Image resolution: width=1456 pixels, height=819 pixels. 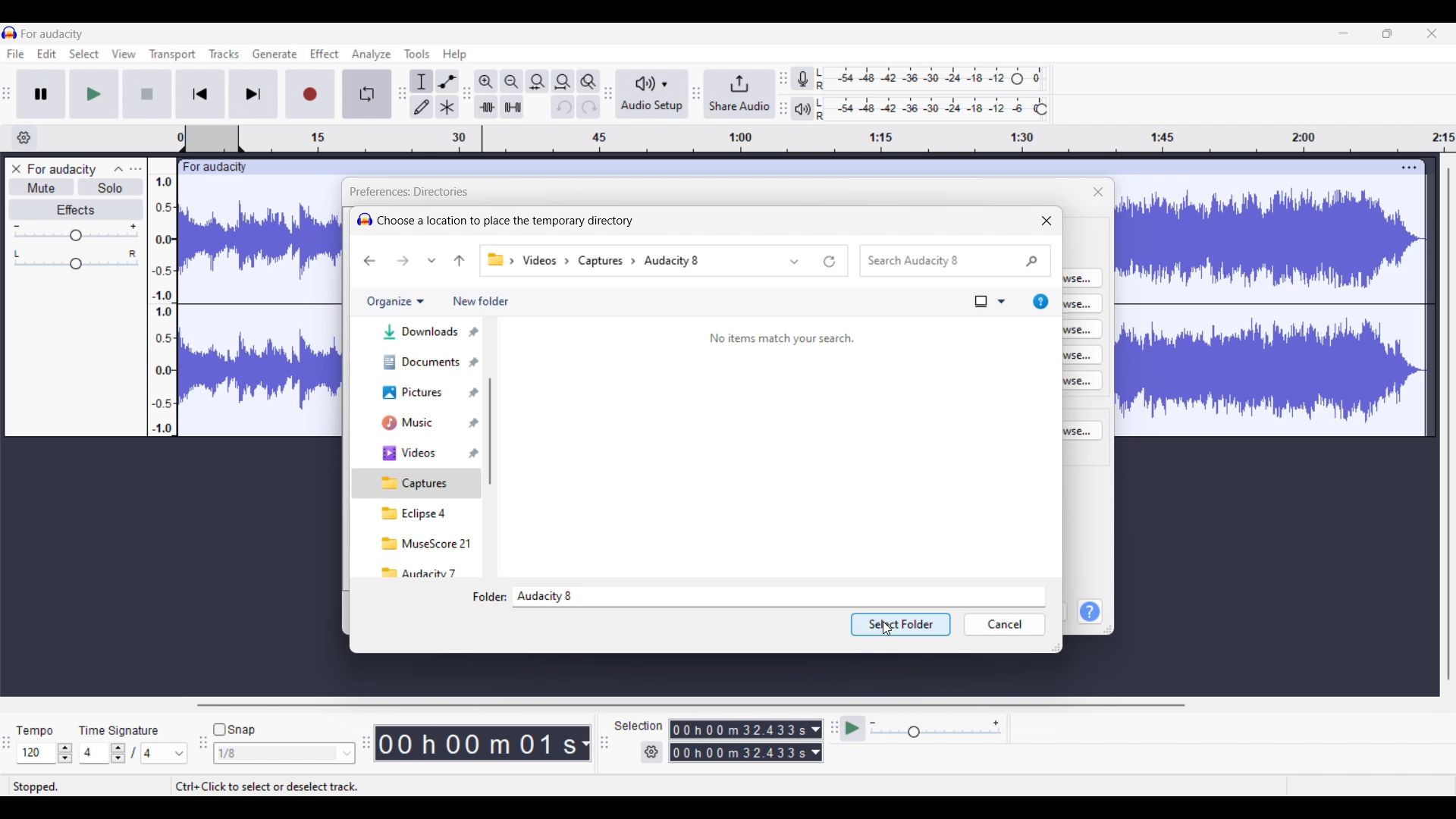 I want to click on Pictures, so click(x=421, y=393).